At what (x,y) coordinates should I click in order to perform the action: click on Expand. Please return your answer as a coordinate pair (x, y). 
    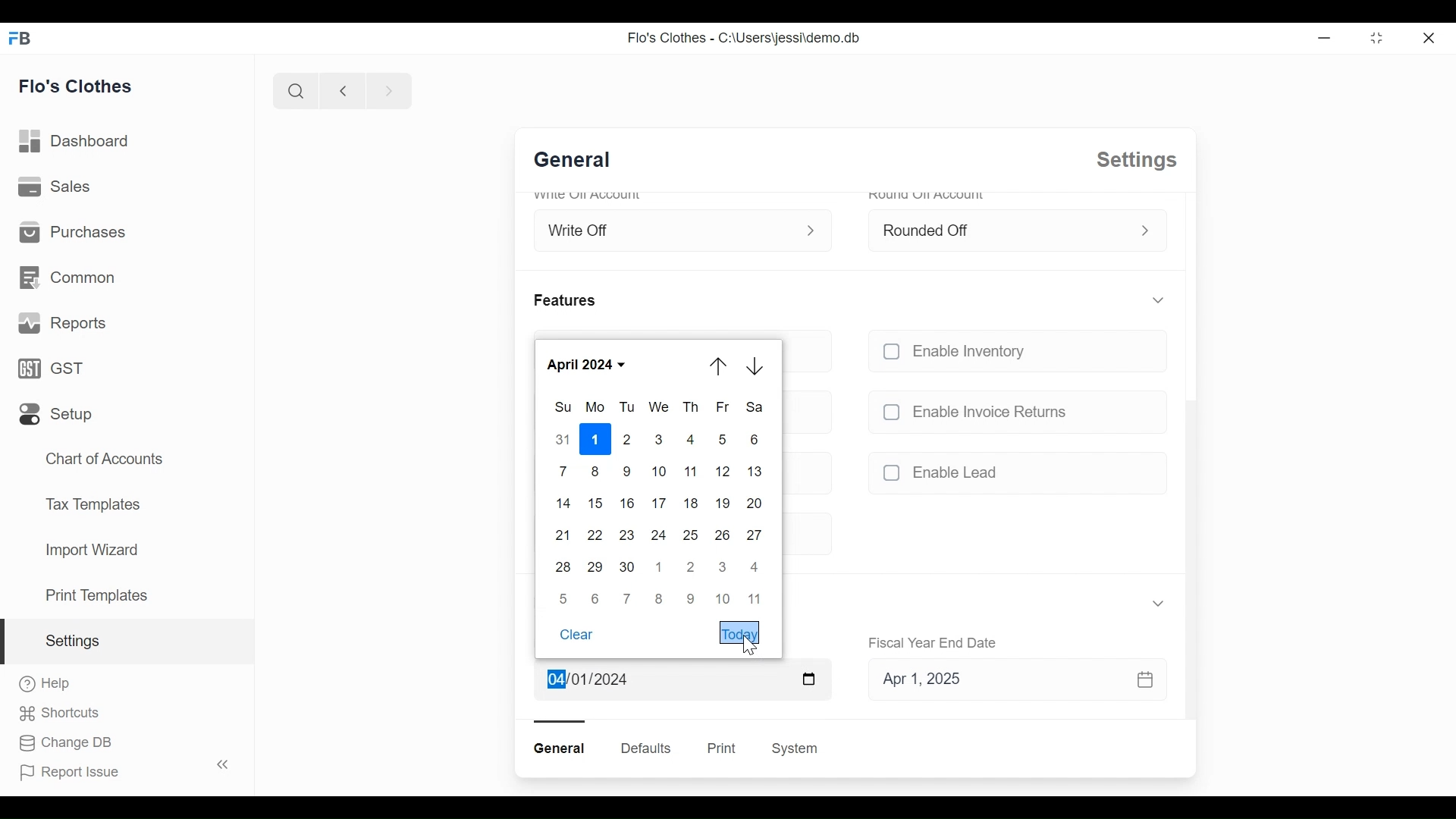
    Looking at the image, I should click on (1145, 231).